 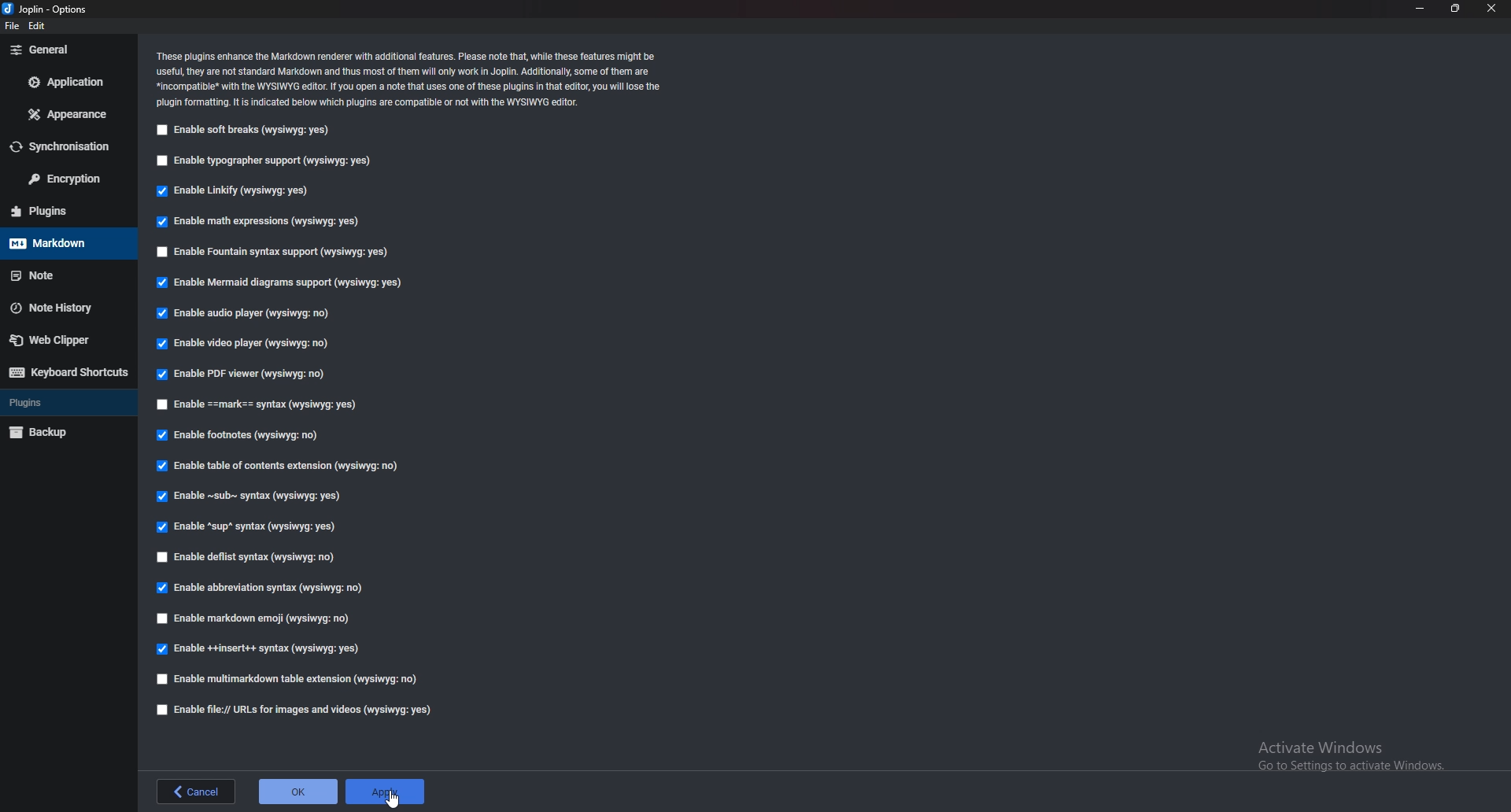 What do you see at coordinates (54, 9) in the screenshot?
I see `Joblin - options` at bounding box center [54, 9].